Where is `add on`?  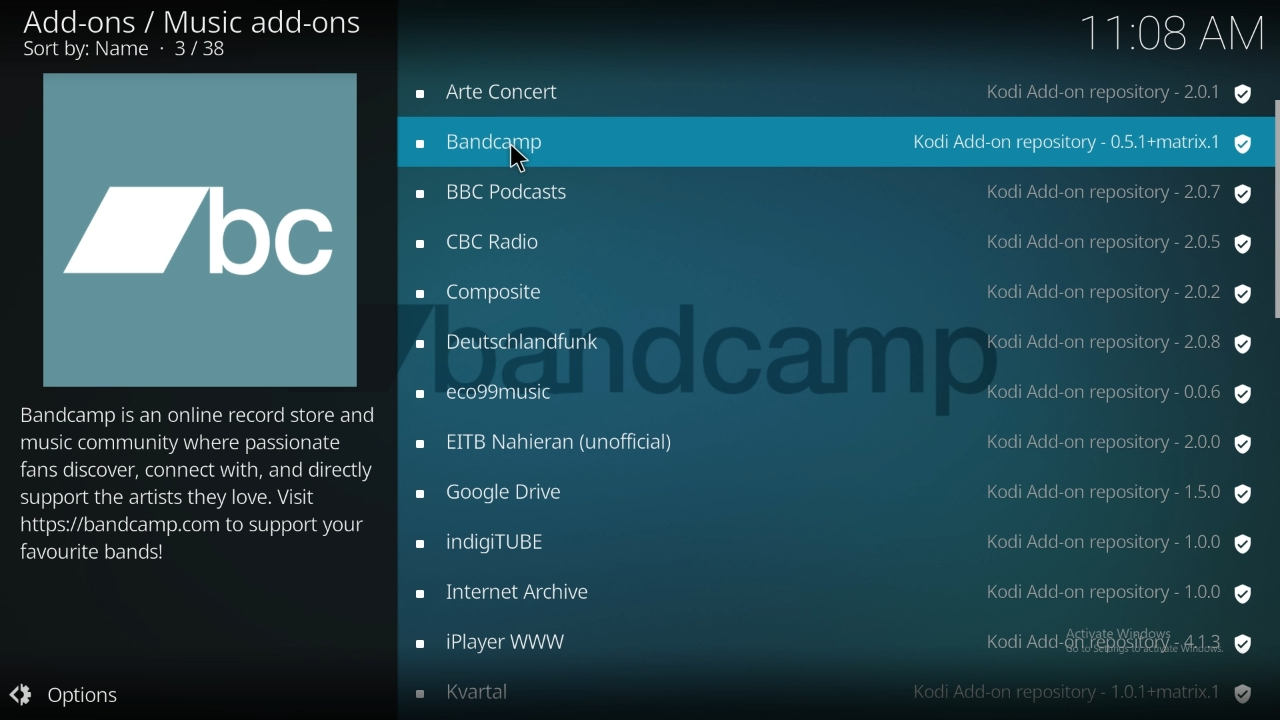
add on is located at coordinates (831, 344).